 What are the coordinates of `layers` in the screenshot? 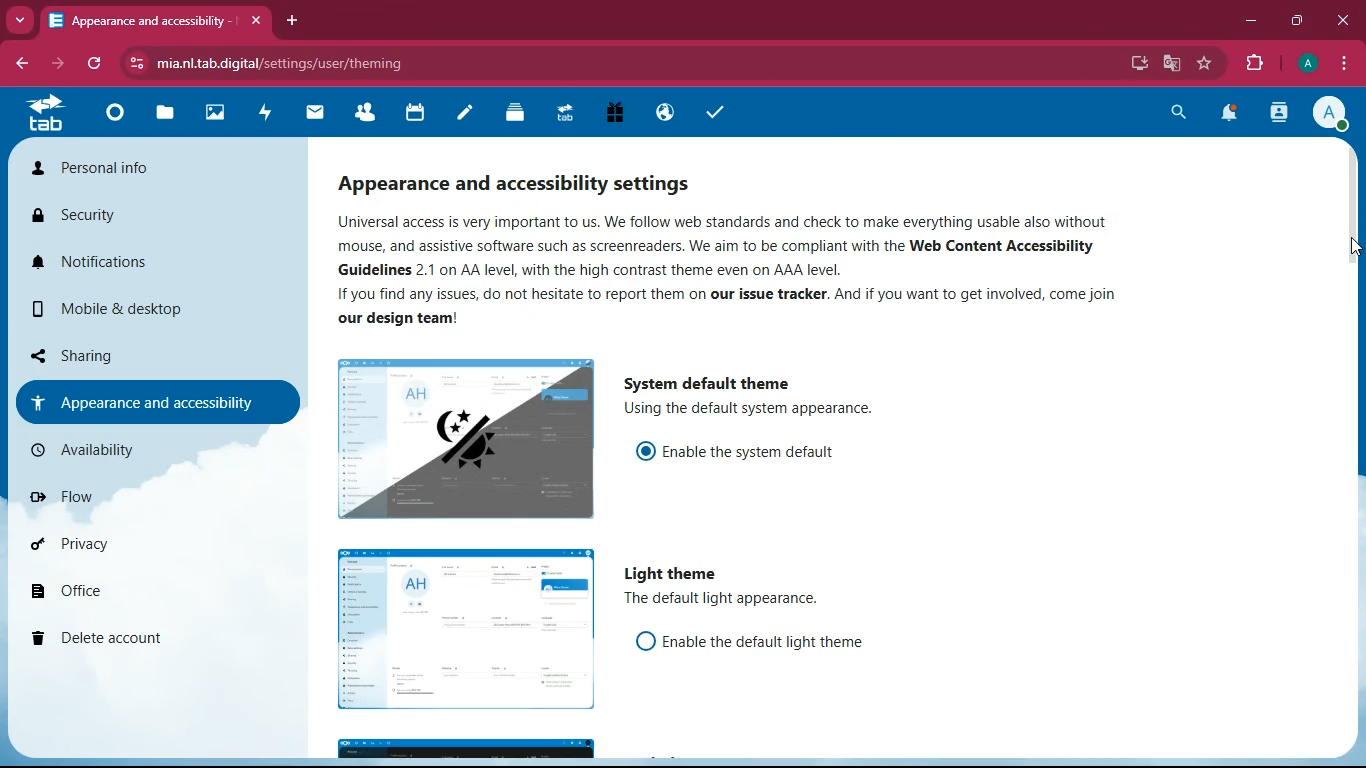 It's located at (515, 115).